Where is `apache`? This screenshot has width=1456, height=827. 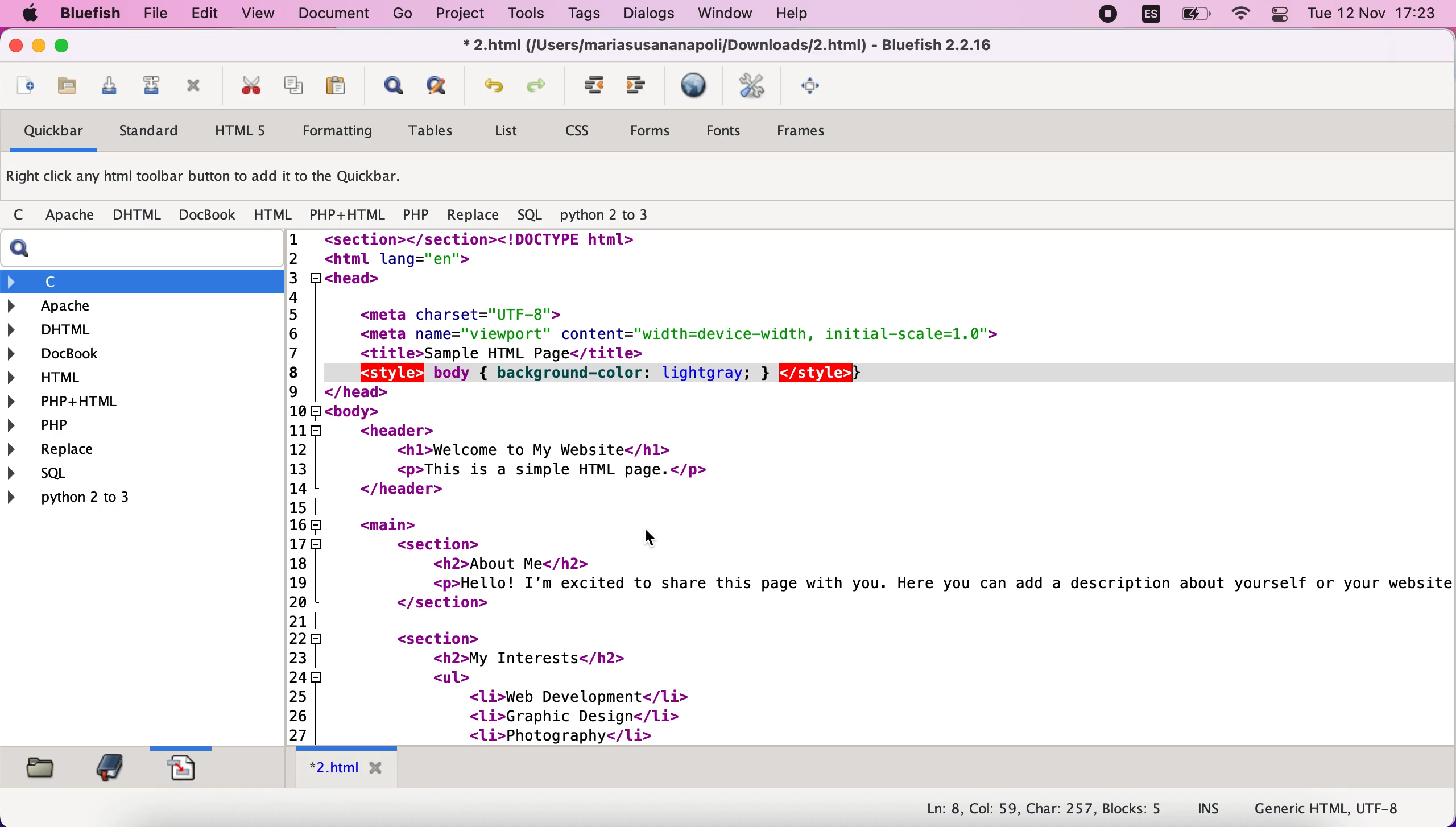 apache is located at coordinates (73, 215).